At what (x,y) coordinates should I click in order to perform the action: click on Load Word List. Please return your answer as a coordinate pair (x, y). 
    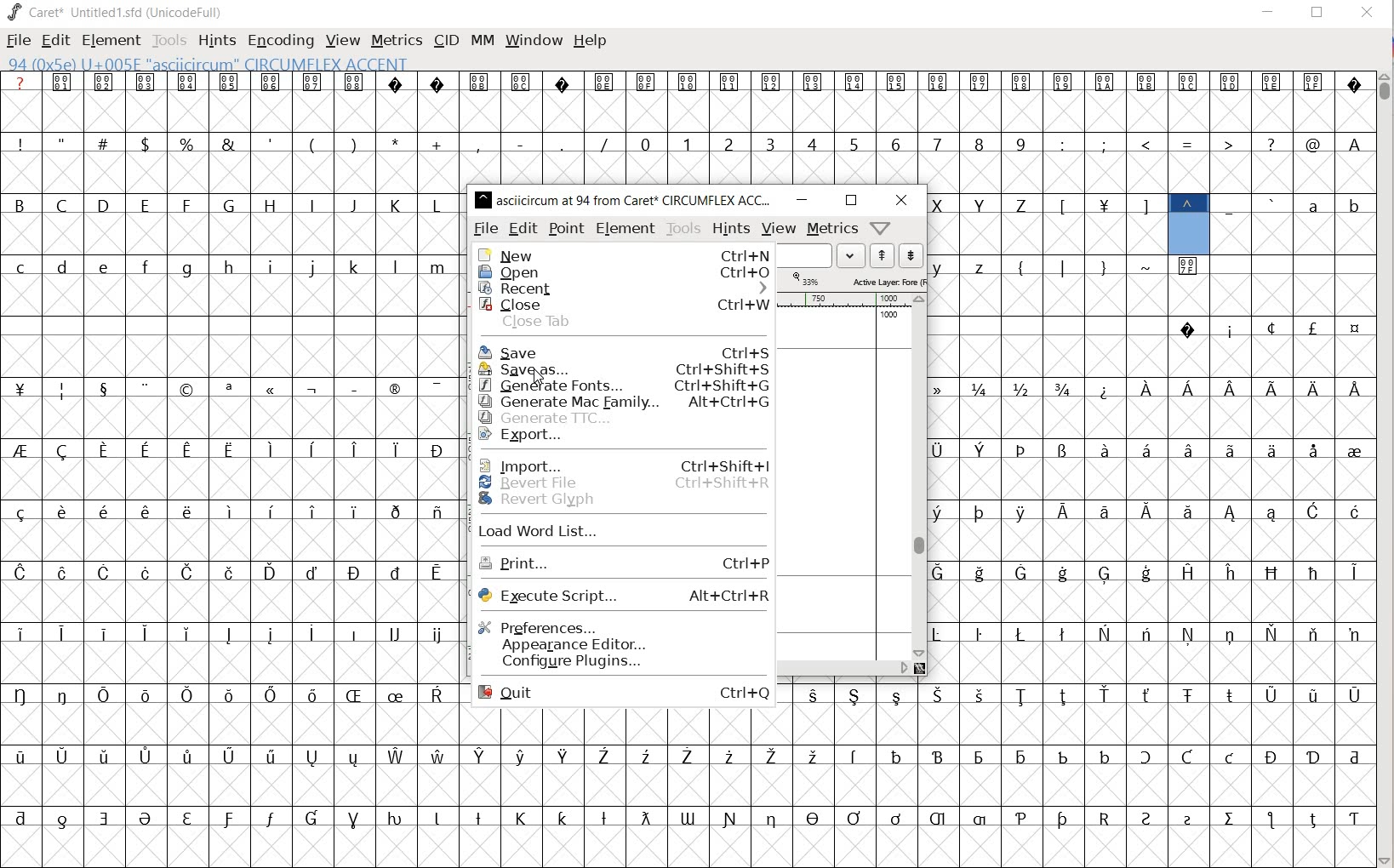
    Looking at the image, I should click on (620, 534).